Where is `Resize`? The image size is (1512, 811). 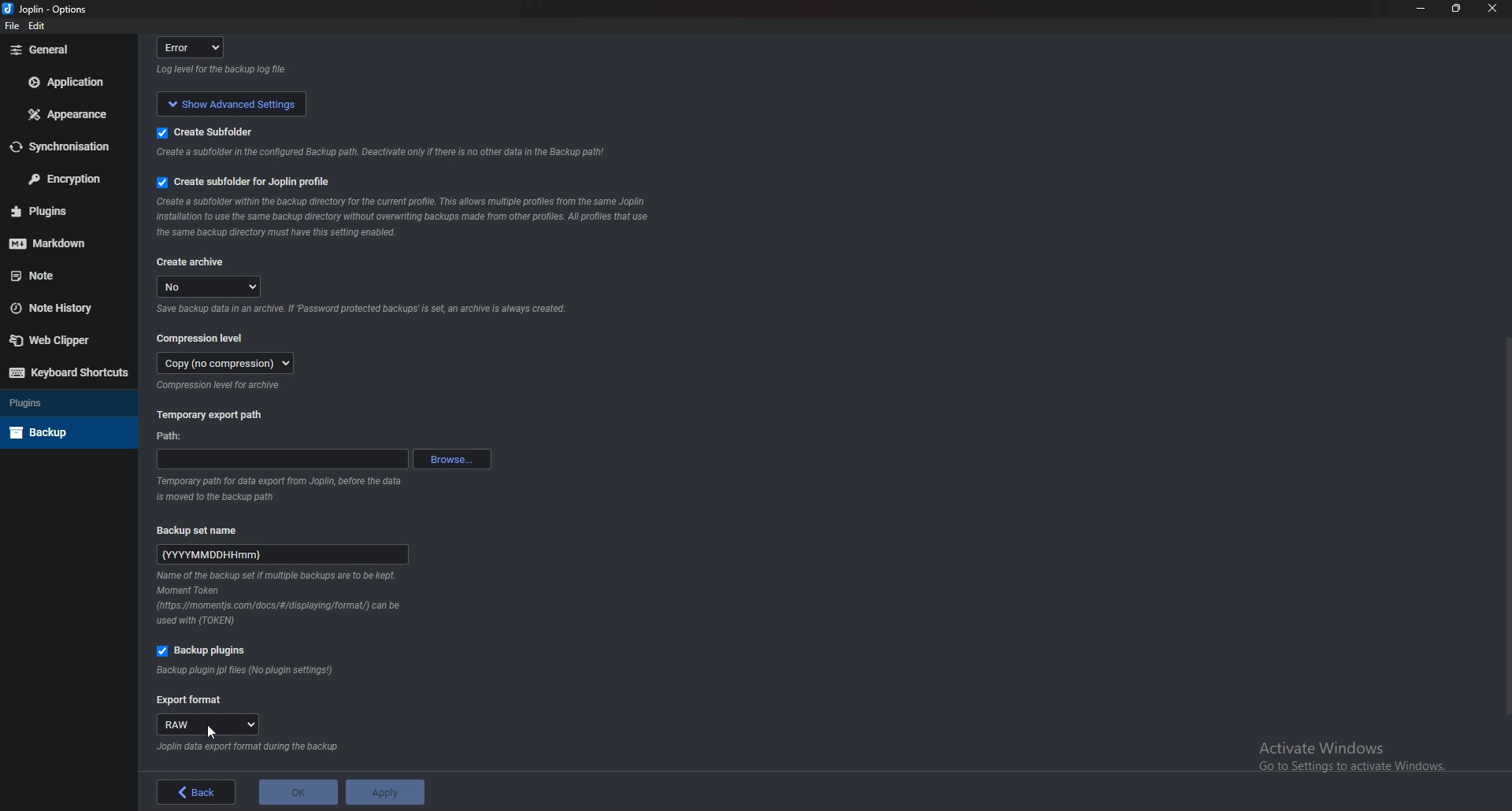
Resize is located at coordinates (1458, 9).